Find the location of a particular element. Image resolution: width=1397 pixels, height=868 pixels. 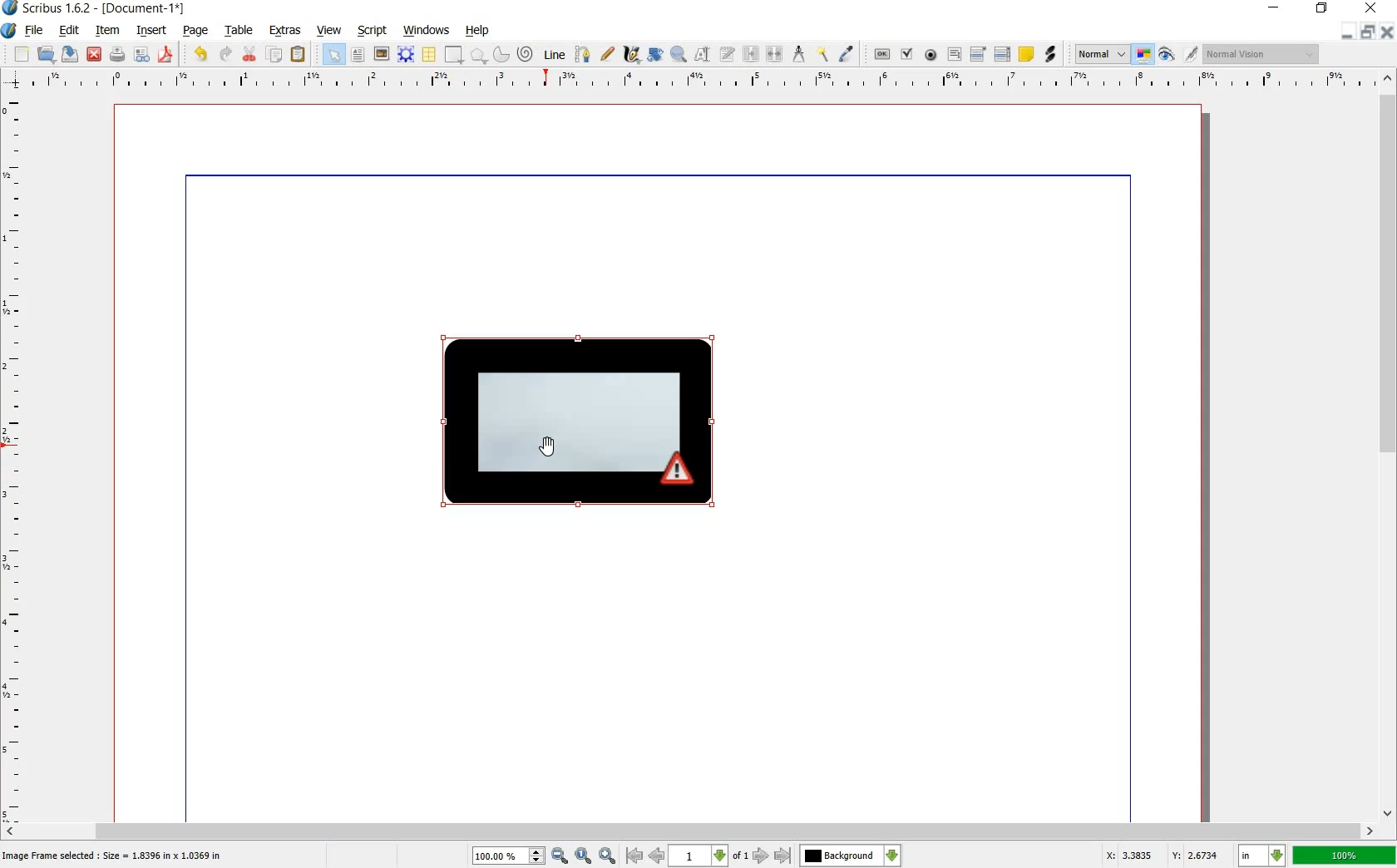

select the image preview quality is located at coordinates (1098, 52).